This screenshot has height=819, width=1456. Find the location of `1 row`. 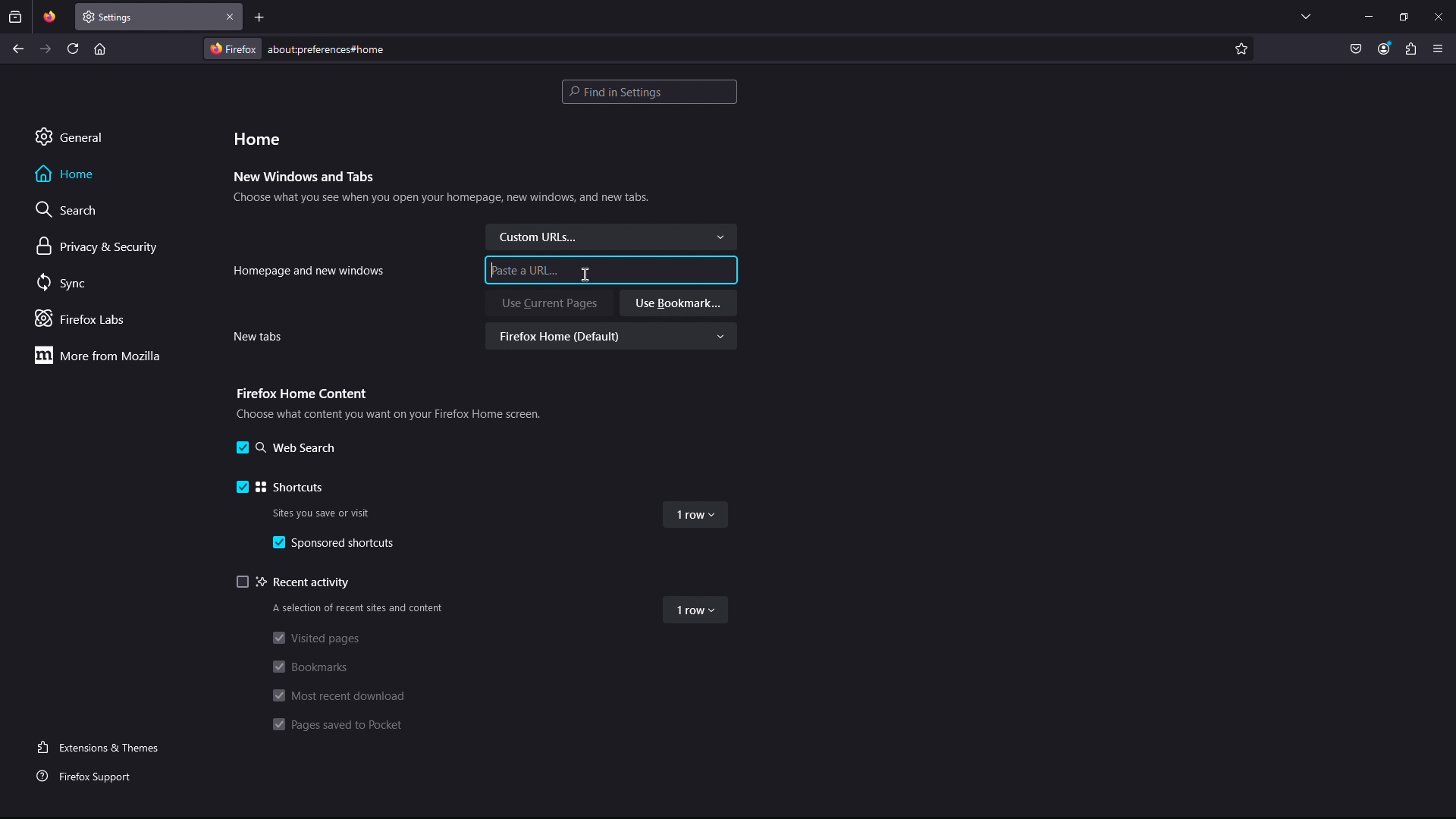

1 row is located at coordinates (696, 611).